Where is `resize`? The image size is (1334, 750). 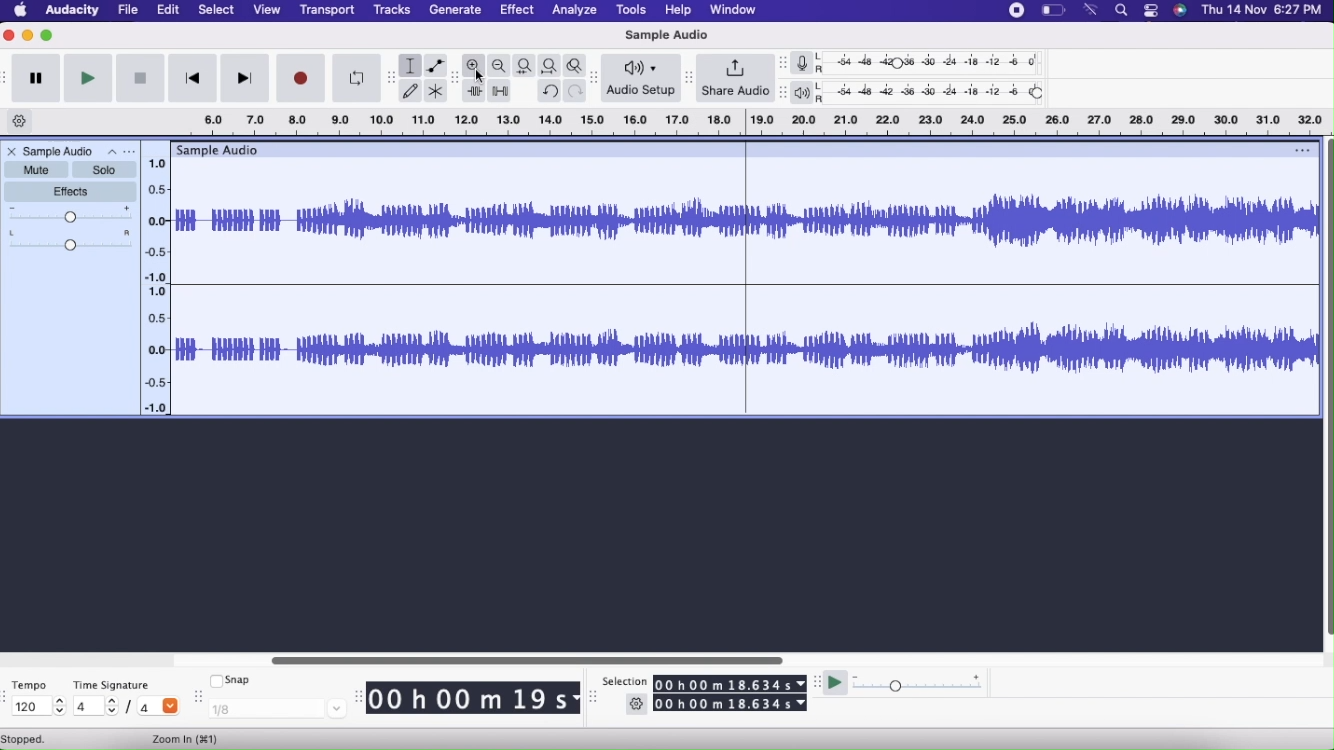 resize is located at coordinates (782, 64).